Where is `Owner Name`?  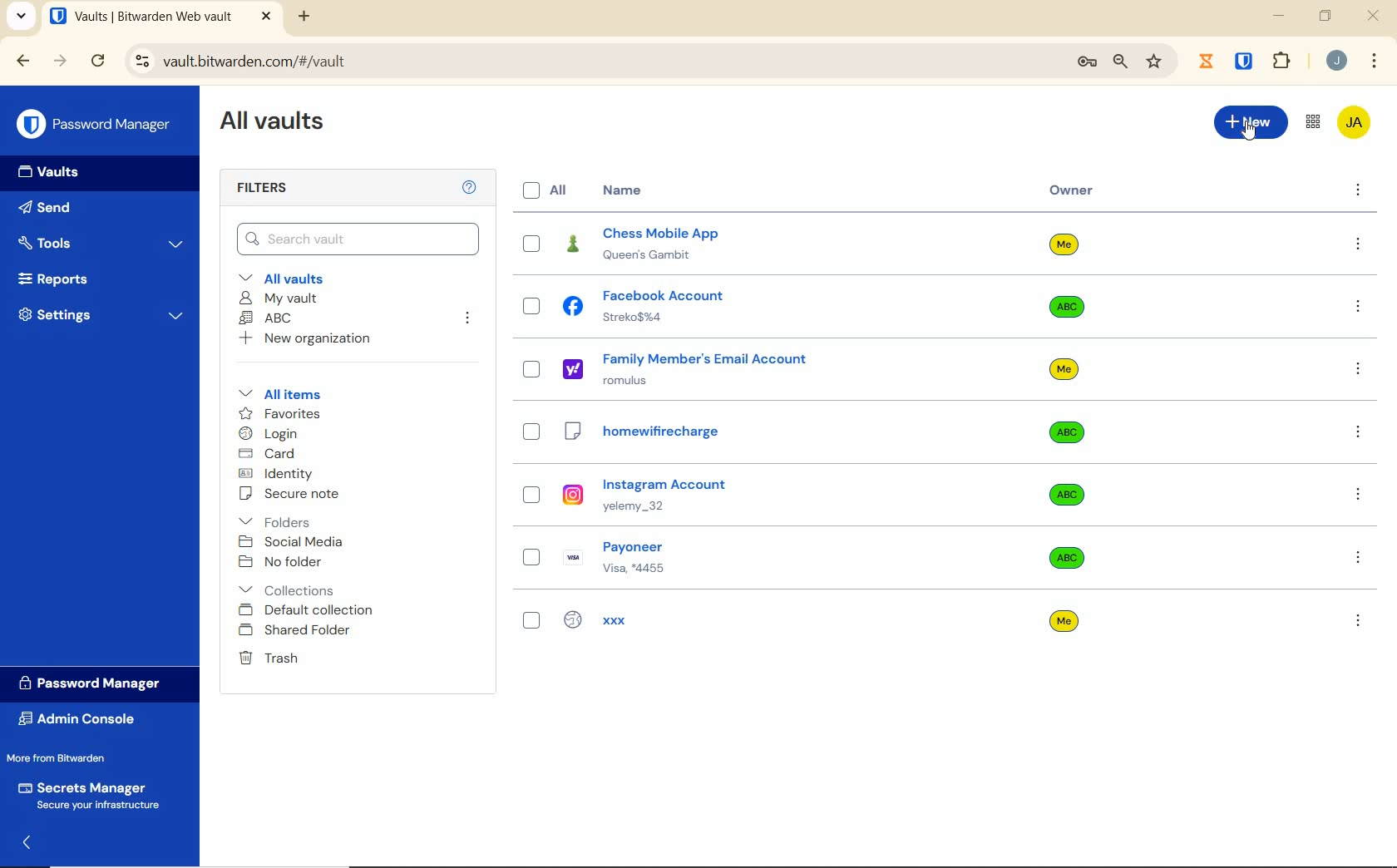
Owner Name is located at coordinates (1064, 433).